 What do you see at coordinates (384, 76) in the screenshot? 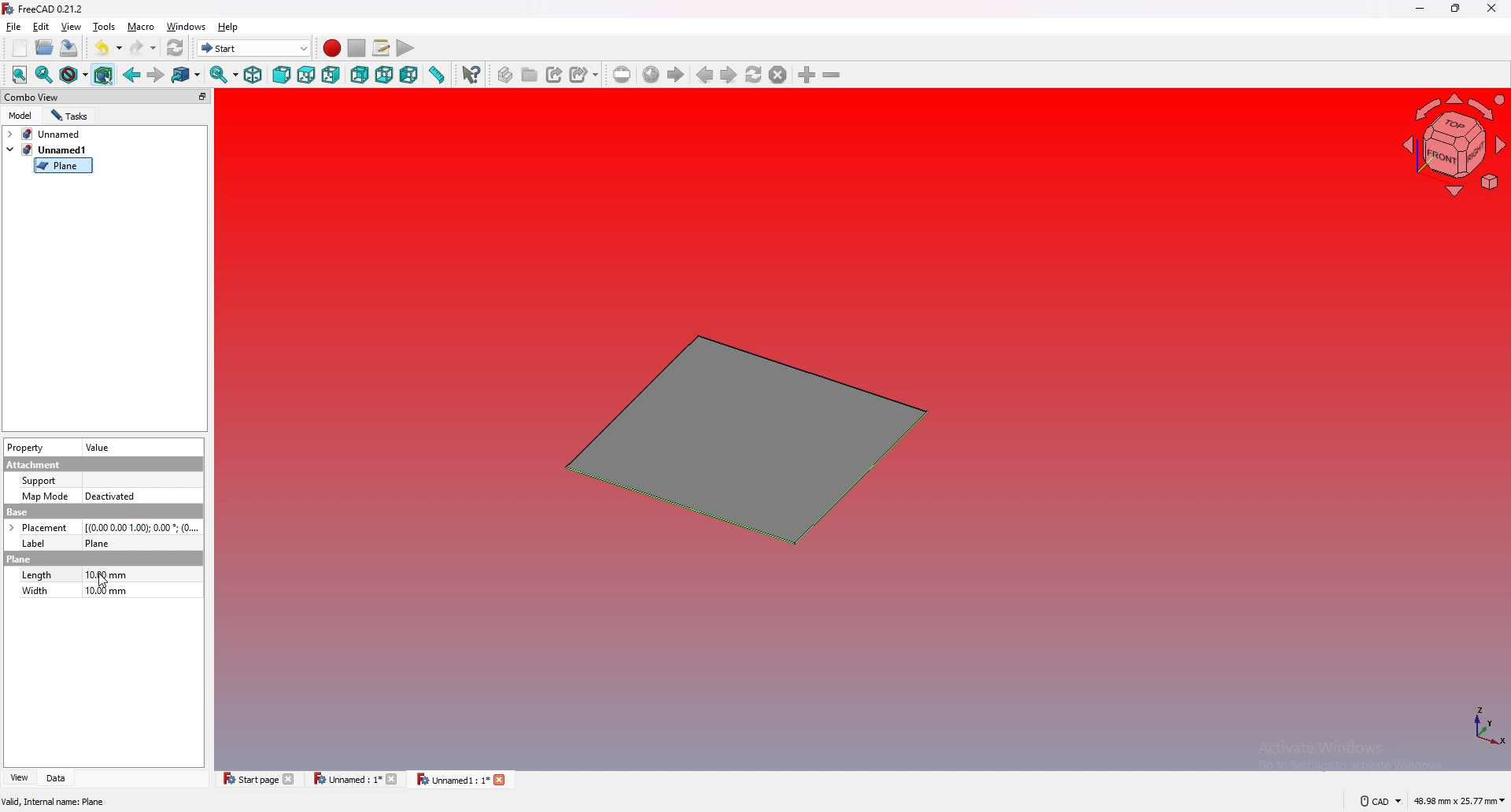
I see `bottom` at bounding box center [384, 76].